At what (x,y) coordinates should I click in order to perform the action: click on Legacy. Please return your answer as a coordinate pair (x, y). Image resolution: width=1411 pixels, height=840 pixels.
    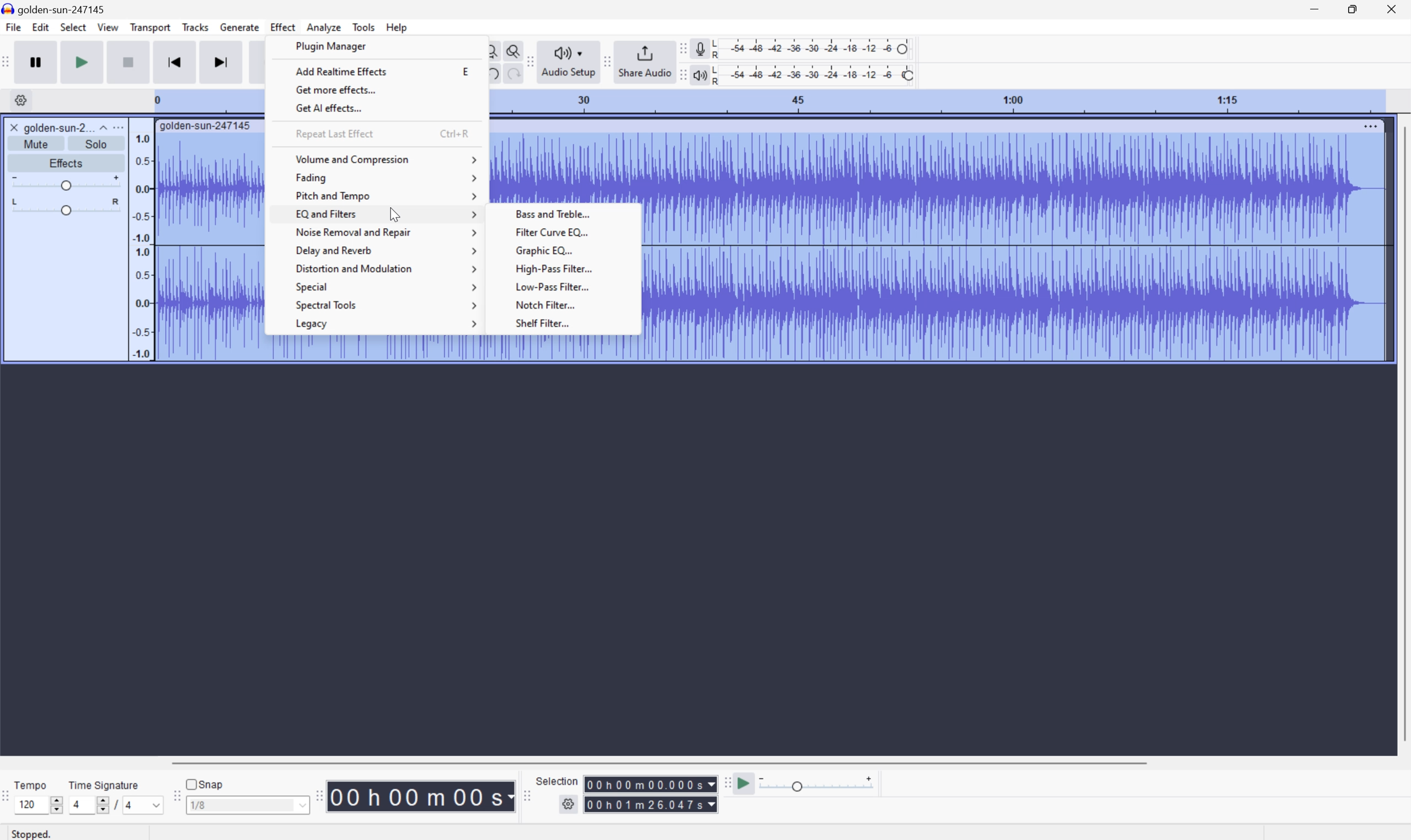
    Looking at the image, I should click on (384, 324).